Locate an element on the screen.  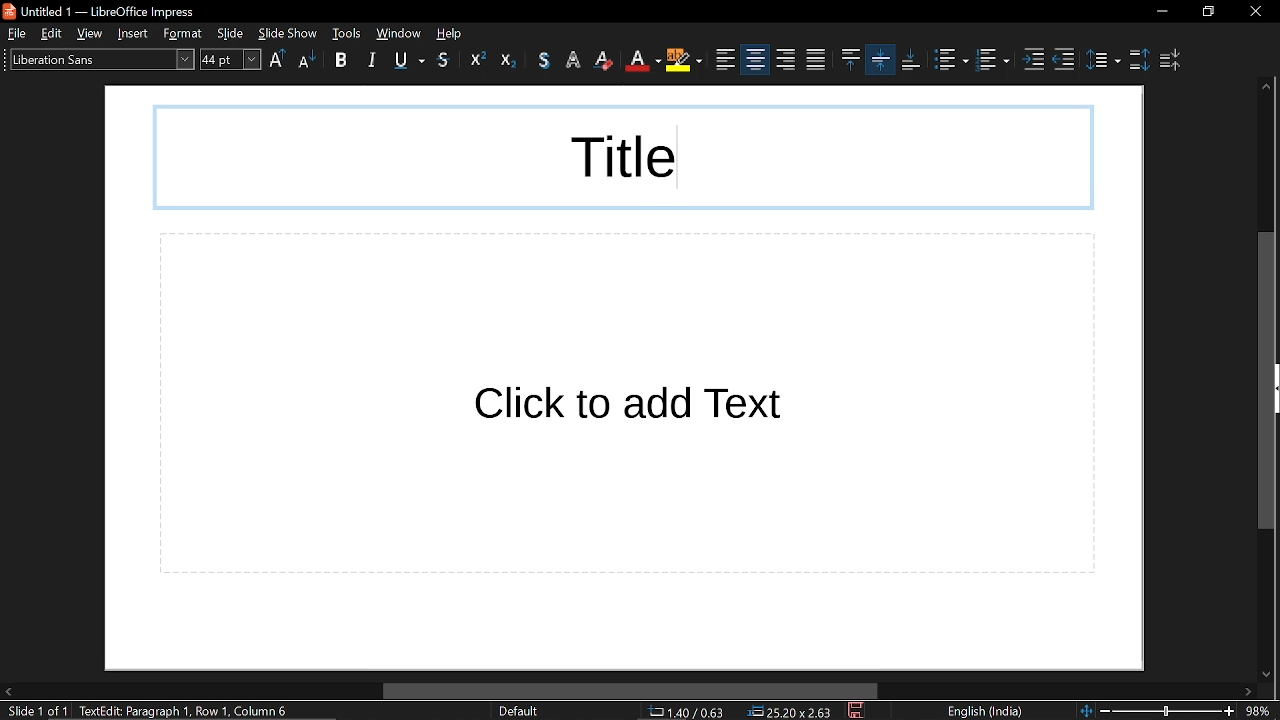
vertical scrollbar is located at coordinates (1264, 382).